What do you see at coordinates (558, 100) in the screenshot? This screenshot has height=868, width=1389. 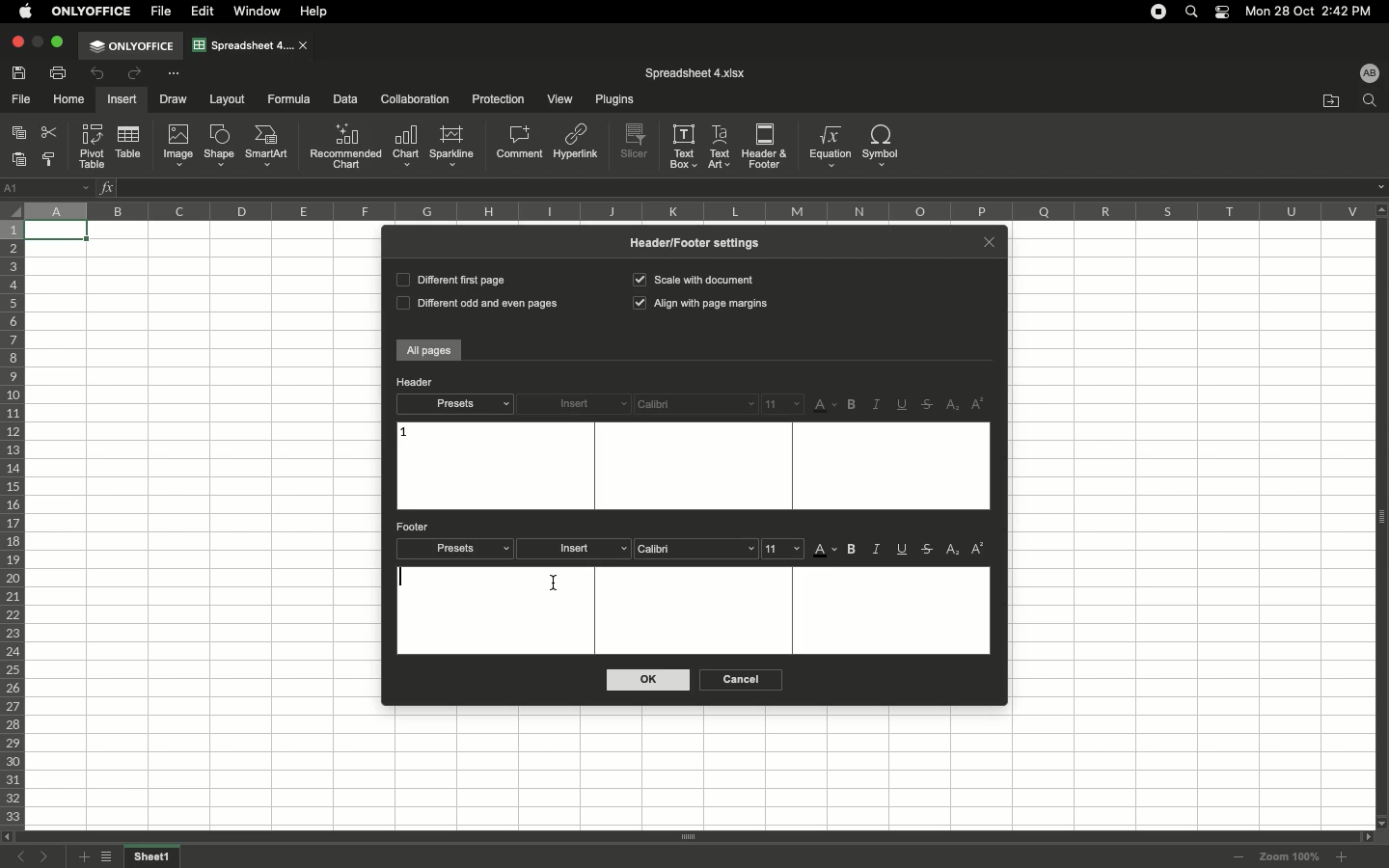 I see `View` at bounding box center [558, 100].